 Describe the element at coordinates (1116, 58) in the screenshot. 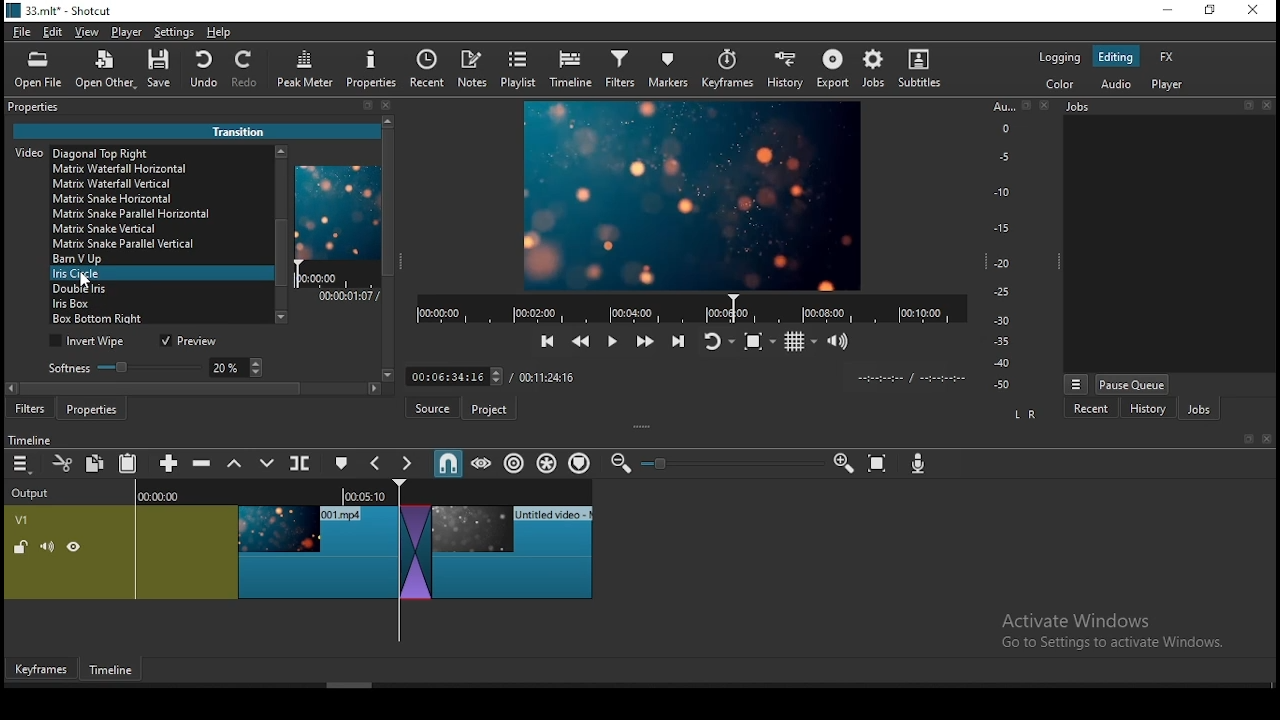

I see `editing` at that location.